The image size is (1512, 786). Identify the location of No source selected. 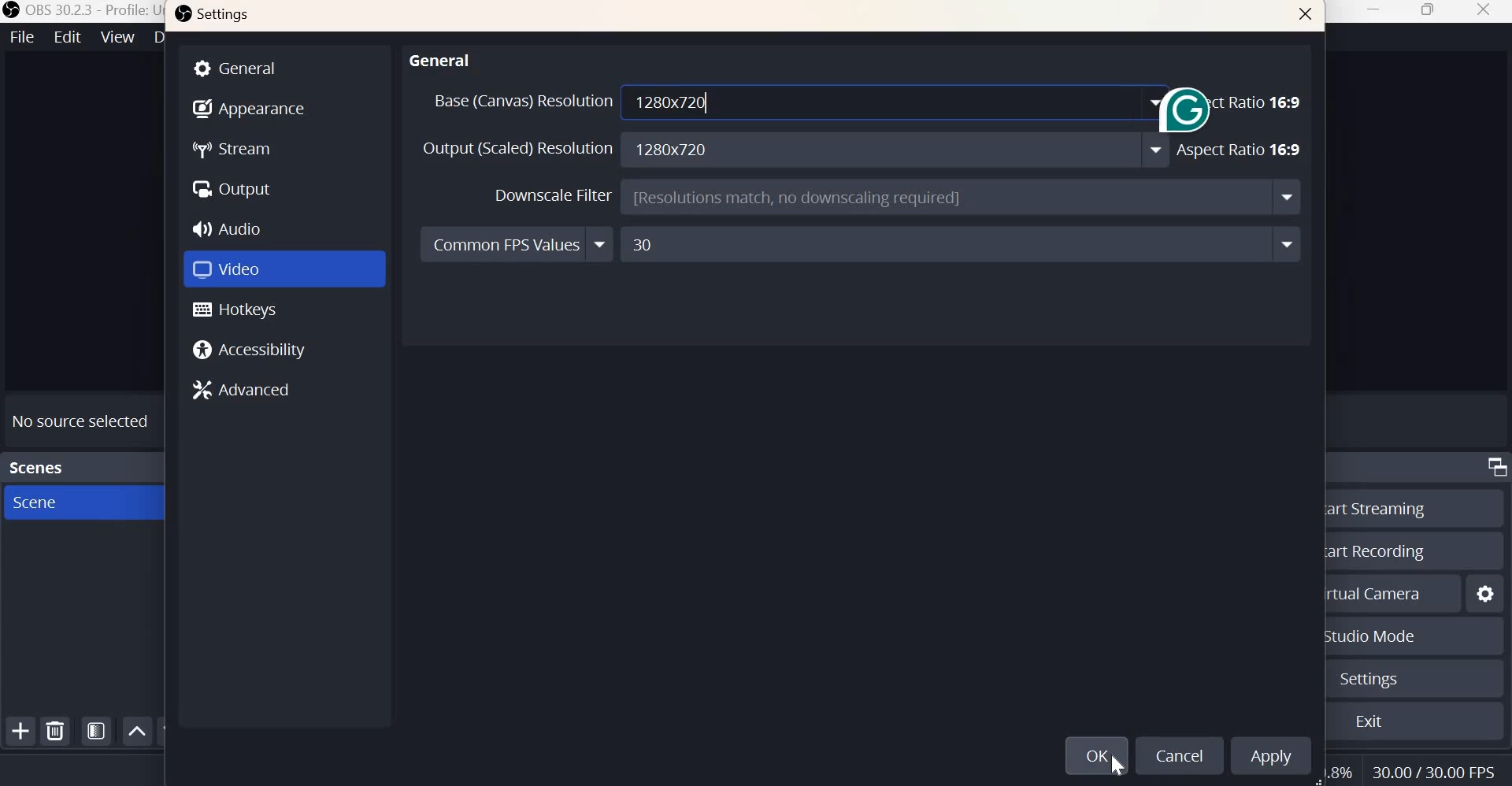
(82, 417).